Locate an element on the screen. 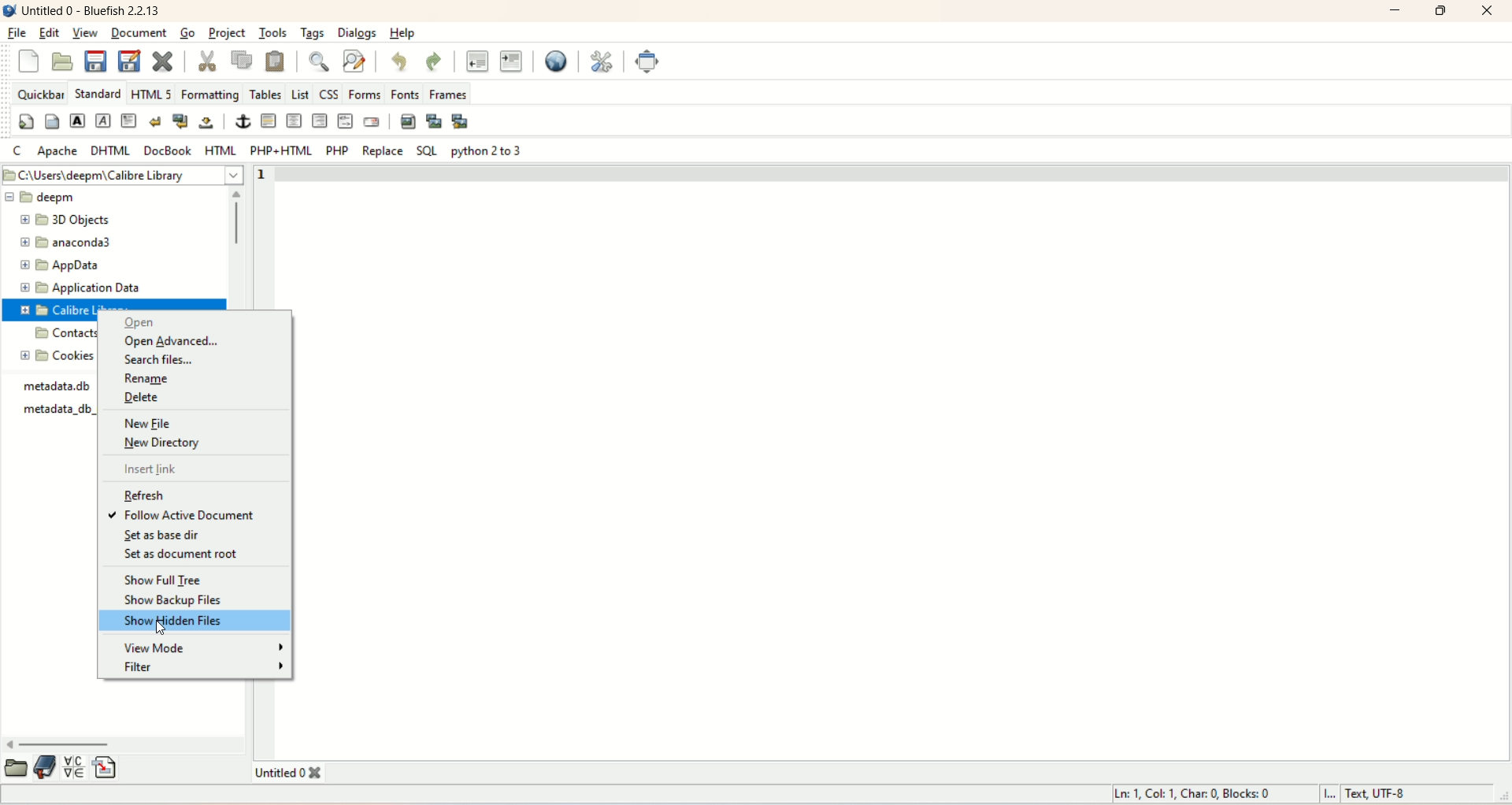  cursor is located at coordinates (164, 630).